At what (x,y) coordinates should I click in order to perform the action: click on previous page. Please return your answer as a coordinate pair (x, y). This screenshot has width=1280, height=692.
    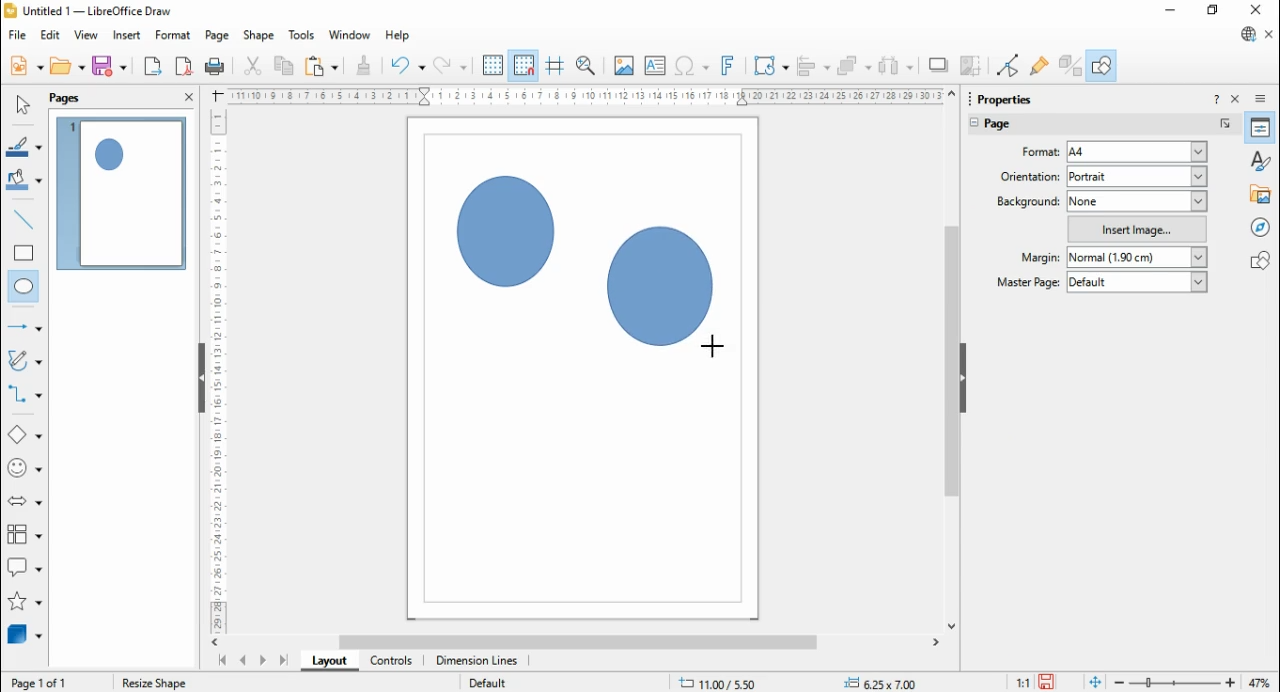
    Looking at the image, I should click on (244, 661).